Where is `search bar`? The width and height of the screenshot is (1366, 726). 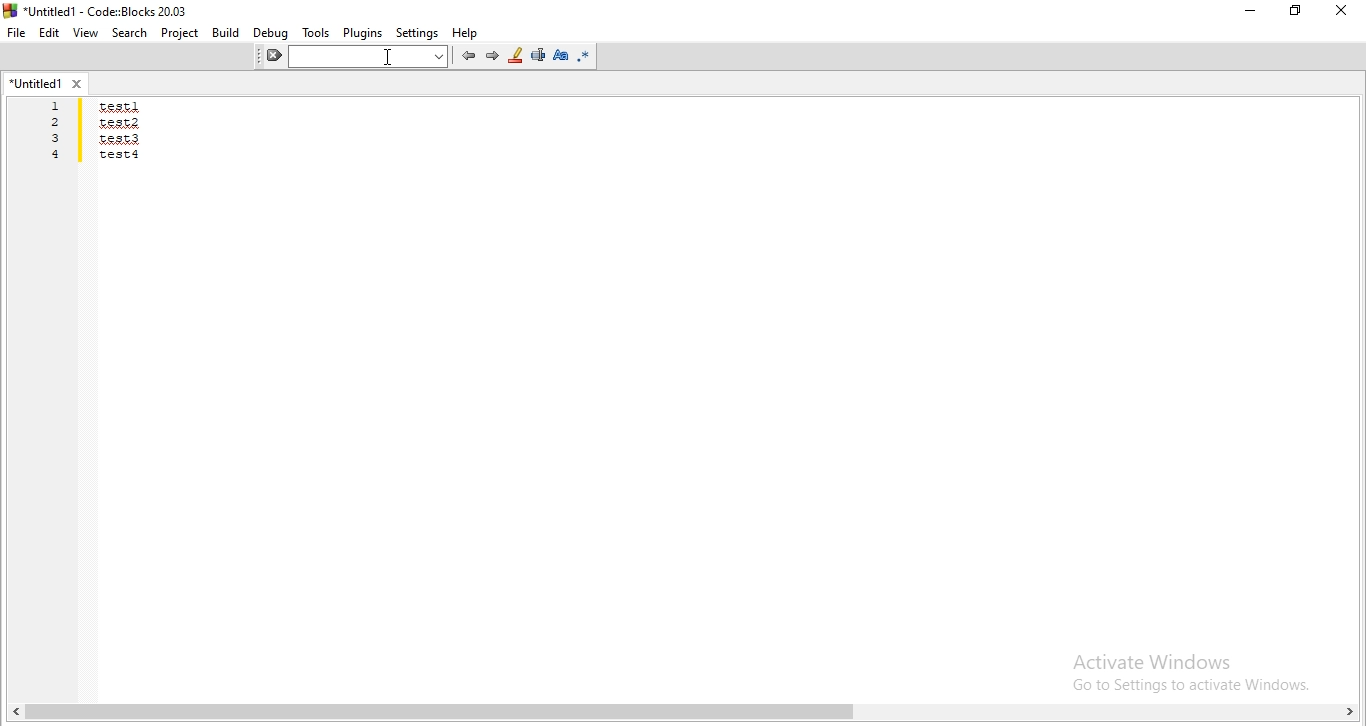
search bar is located at coordinates (374, 57).